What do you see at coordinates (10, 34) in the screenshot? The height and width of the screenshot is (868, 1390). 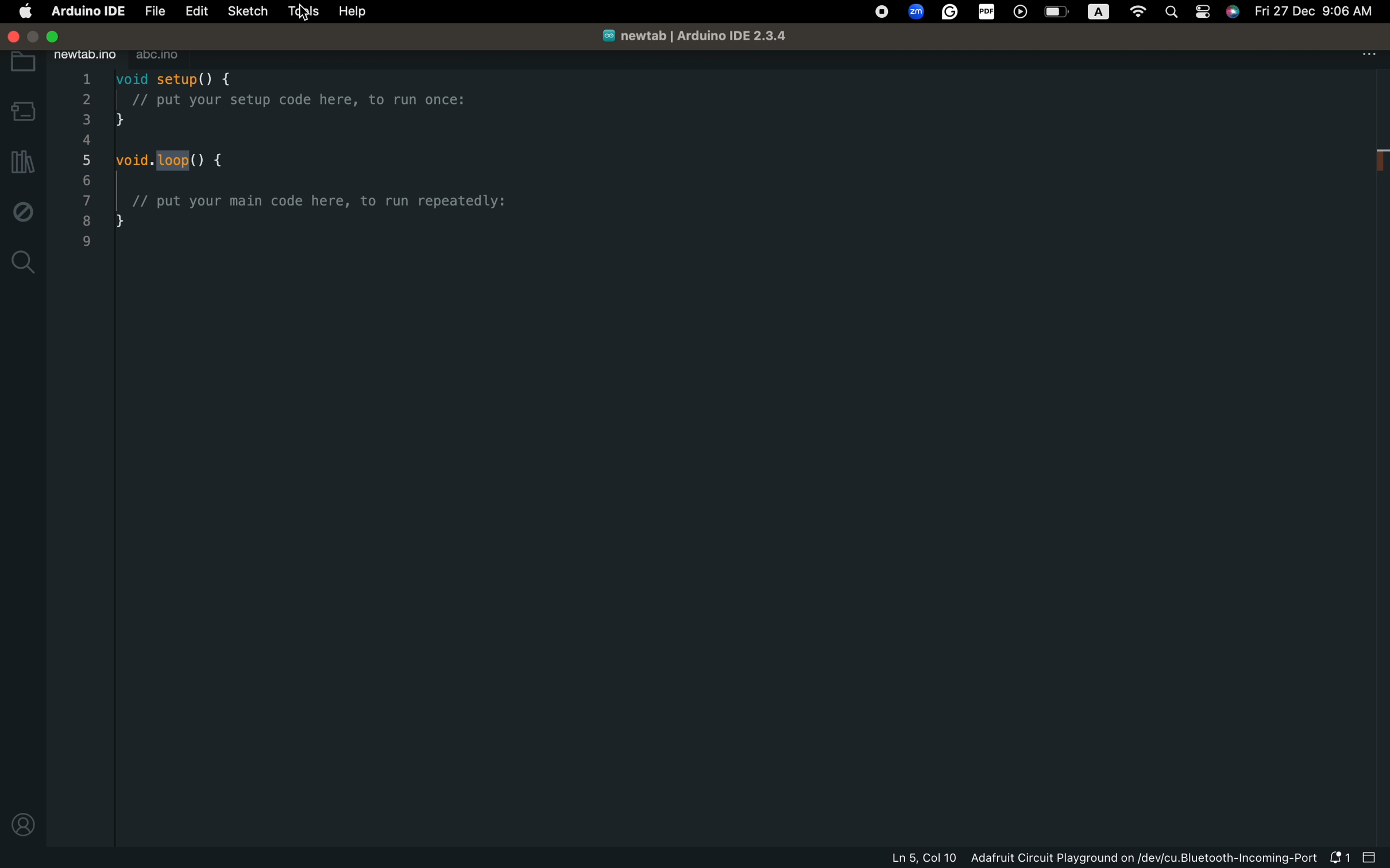 I see `windows control` at bounding box center [10, 34].